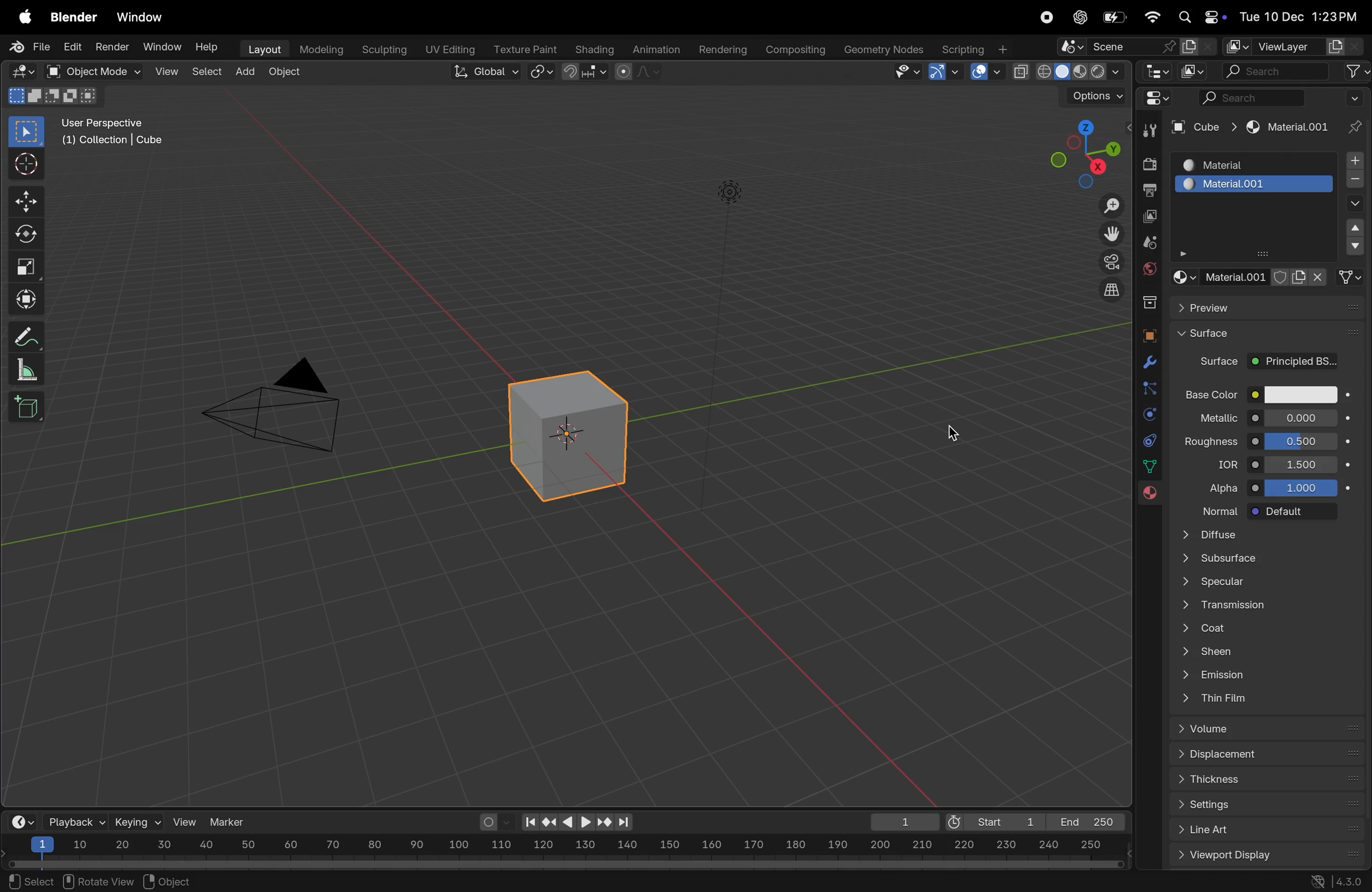  I want to click on play back controls, so click(578, 823).